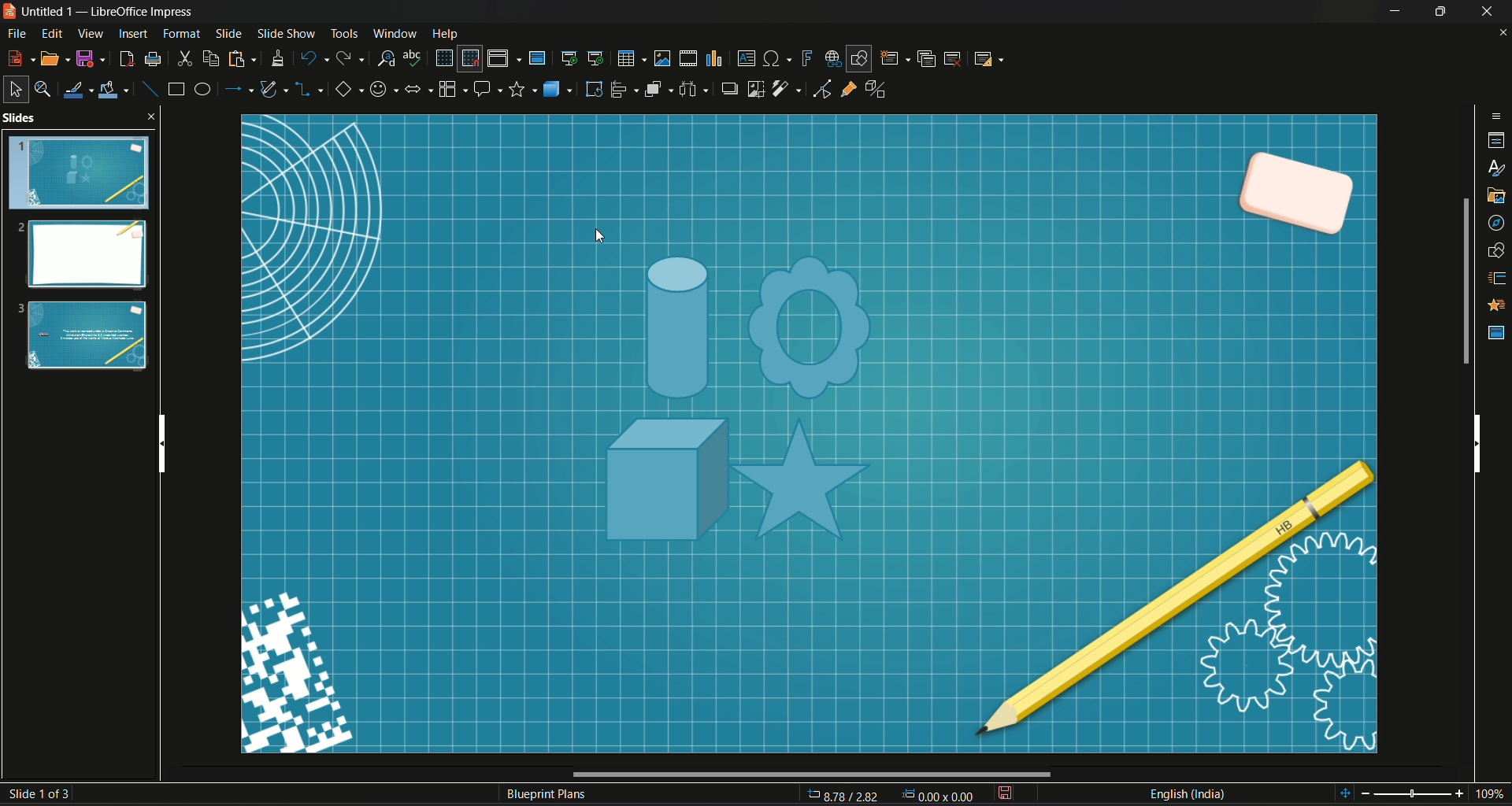 Image resolution: width=1512 pixels, height=806 pixels. Describe the element at coordinates (778, 57) in the screenshot. I see `insert special character` at that location.